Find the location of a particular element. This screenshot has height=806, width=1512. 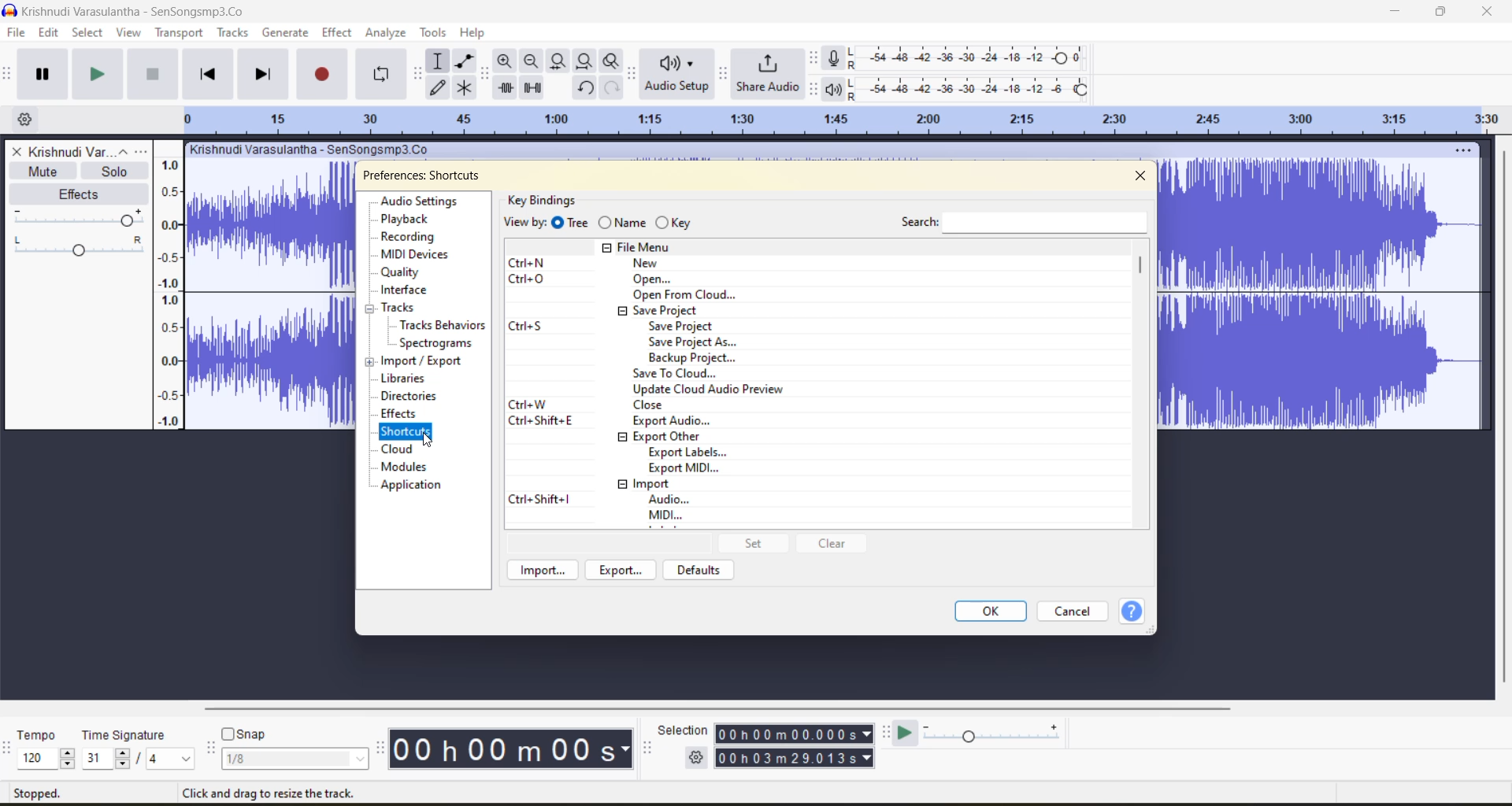

selection tool bar is located at coordinates (648, 747).